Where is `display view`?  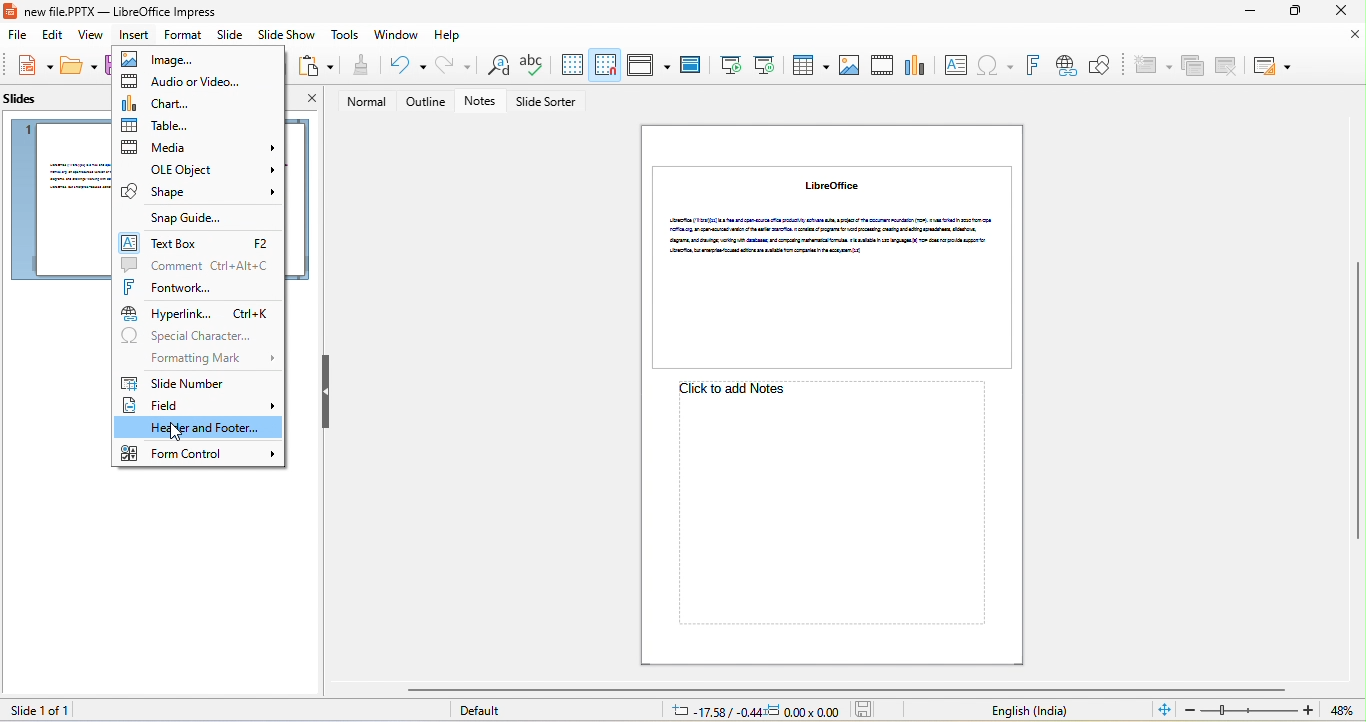 display view is located at coordinates (648, 65).